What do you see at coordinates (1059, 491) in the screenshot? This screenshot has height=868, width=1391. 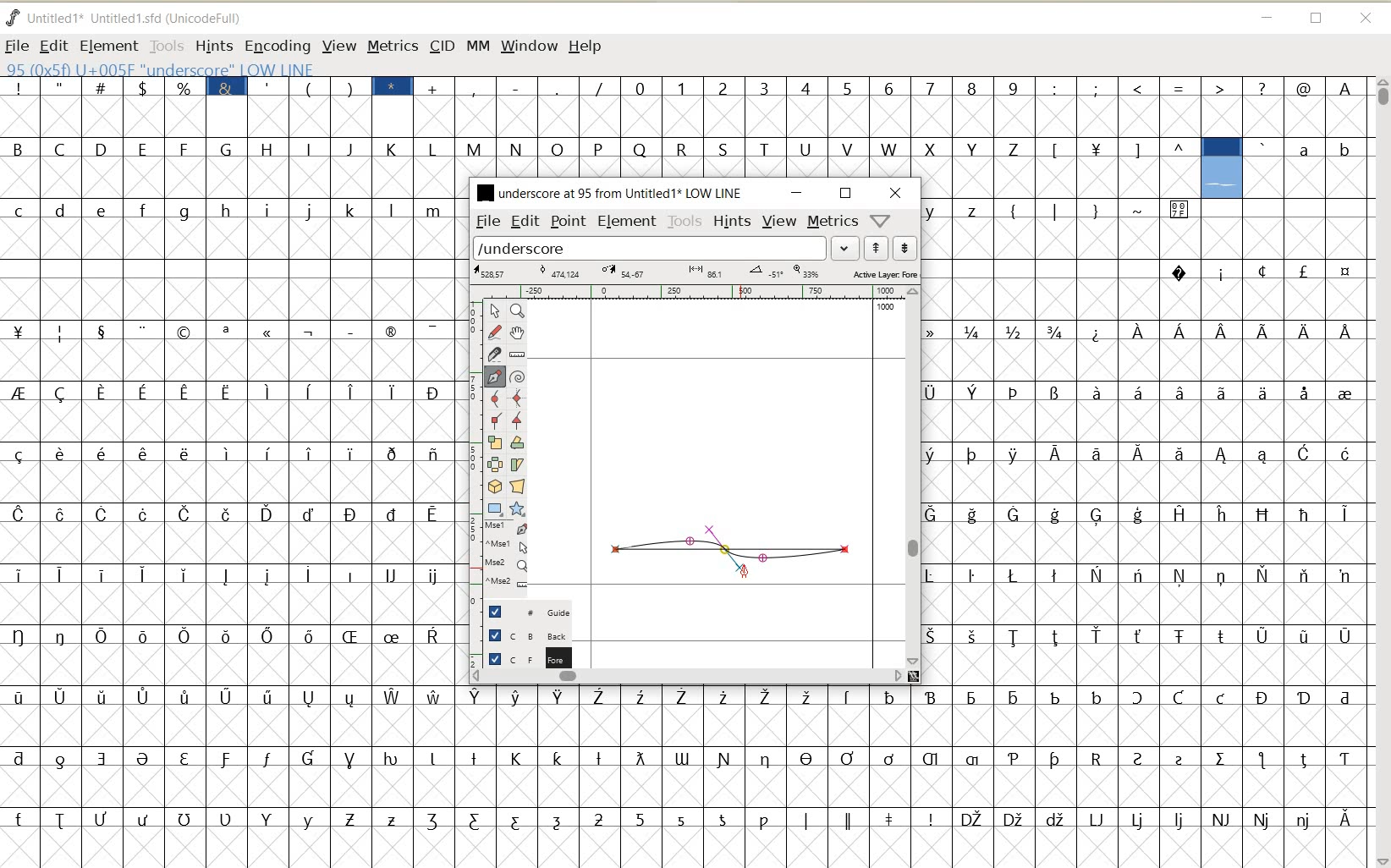 I see `GLYPHY CHARACTERS` at bounding box center [1059, 491].